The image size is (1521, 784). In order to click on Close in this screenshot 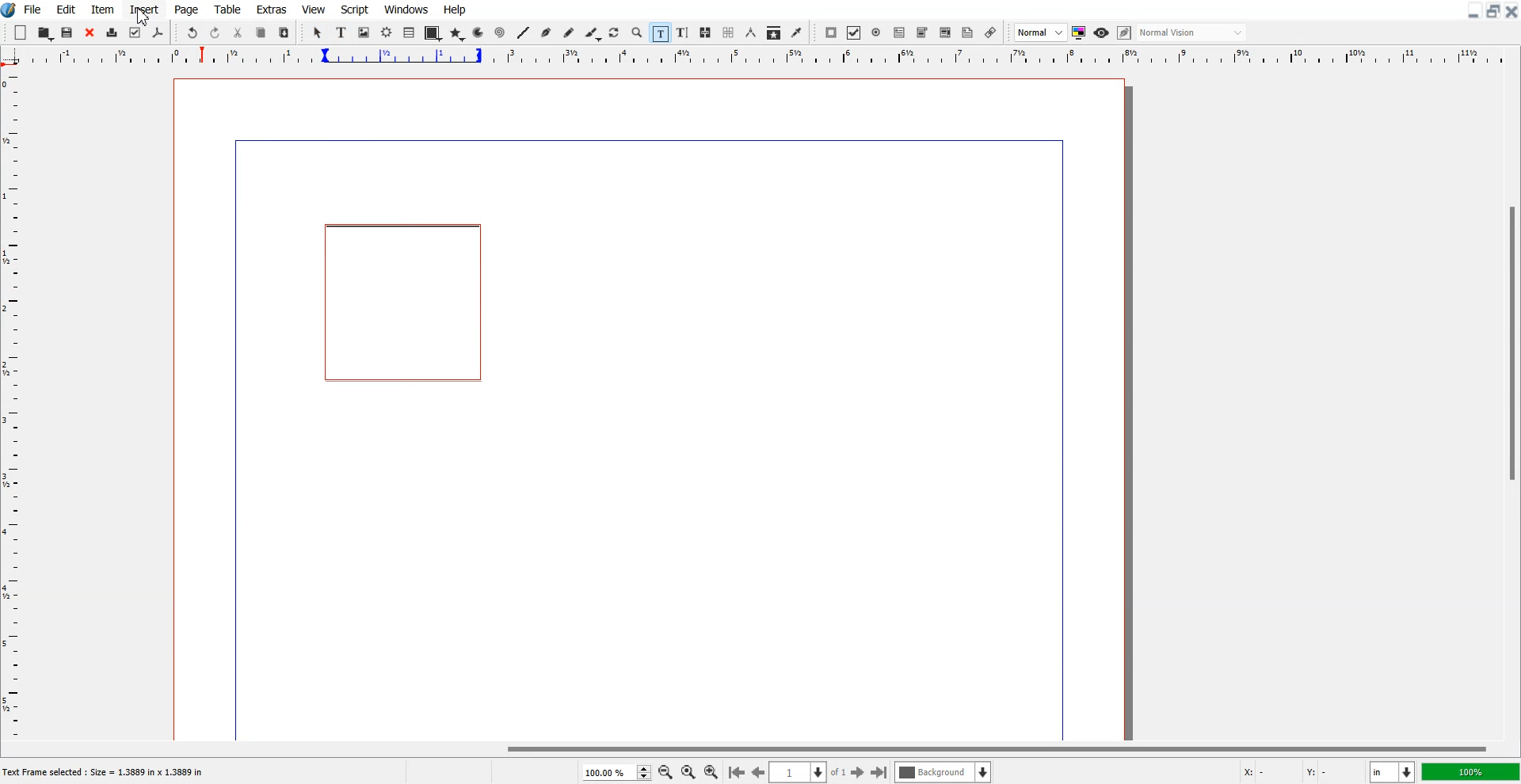, I will do `click(1511, 10)`.